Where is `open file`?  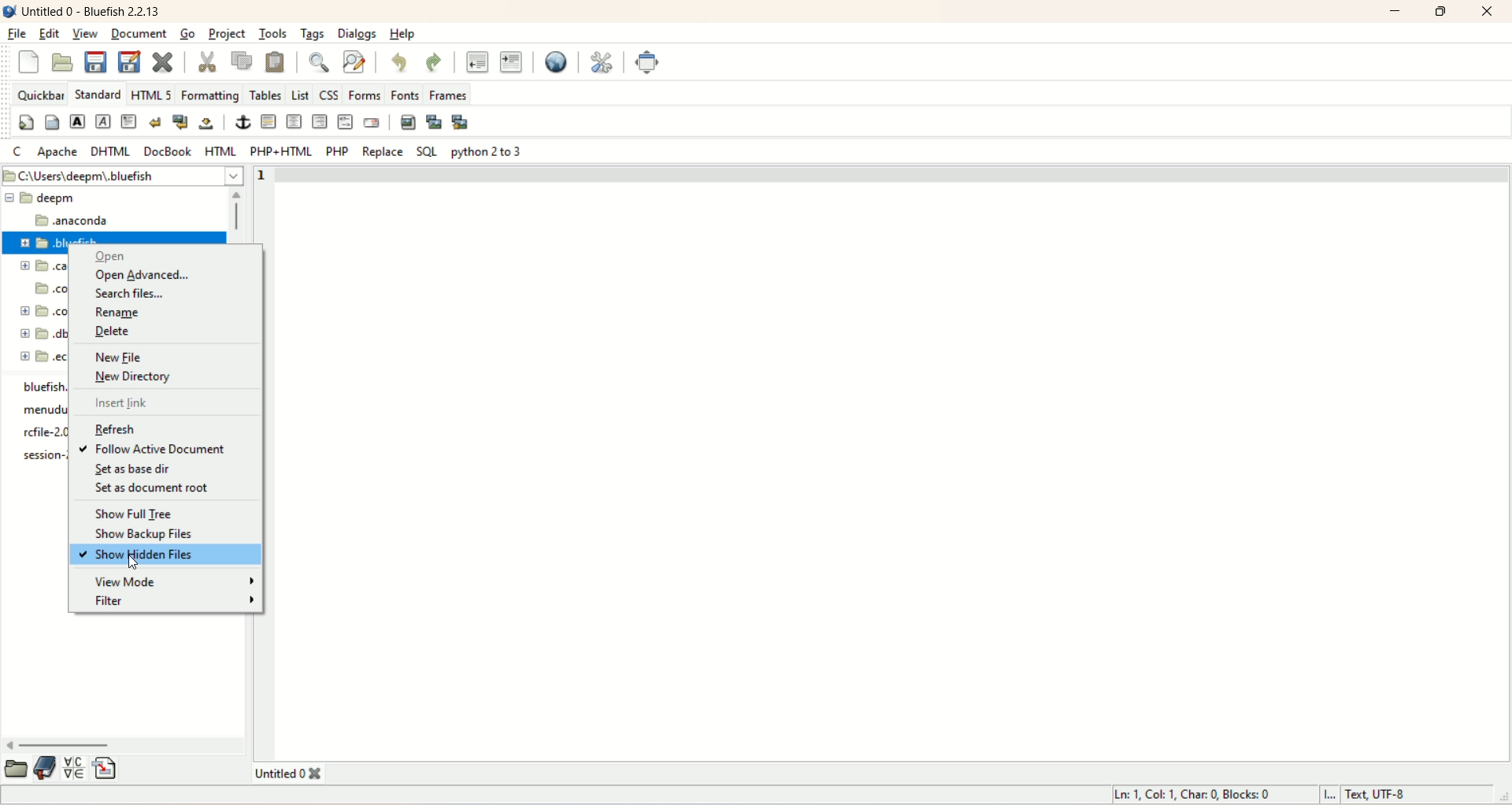
open file is located at coordinates (64, 62).